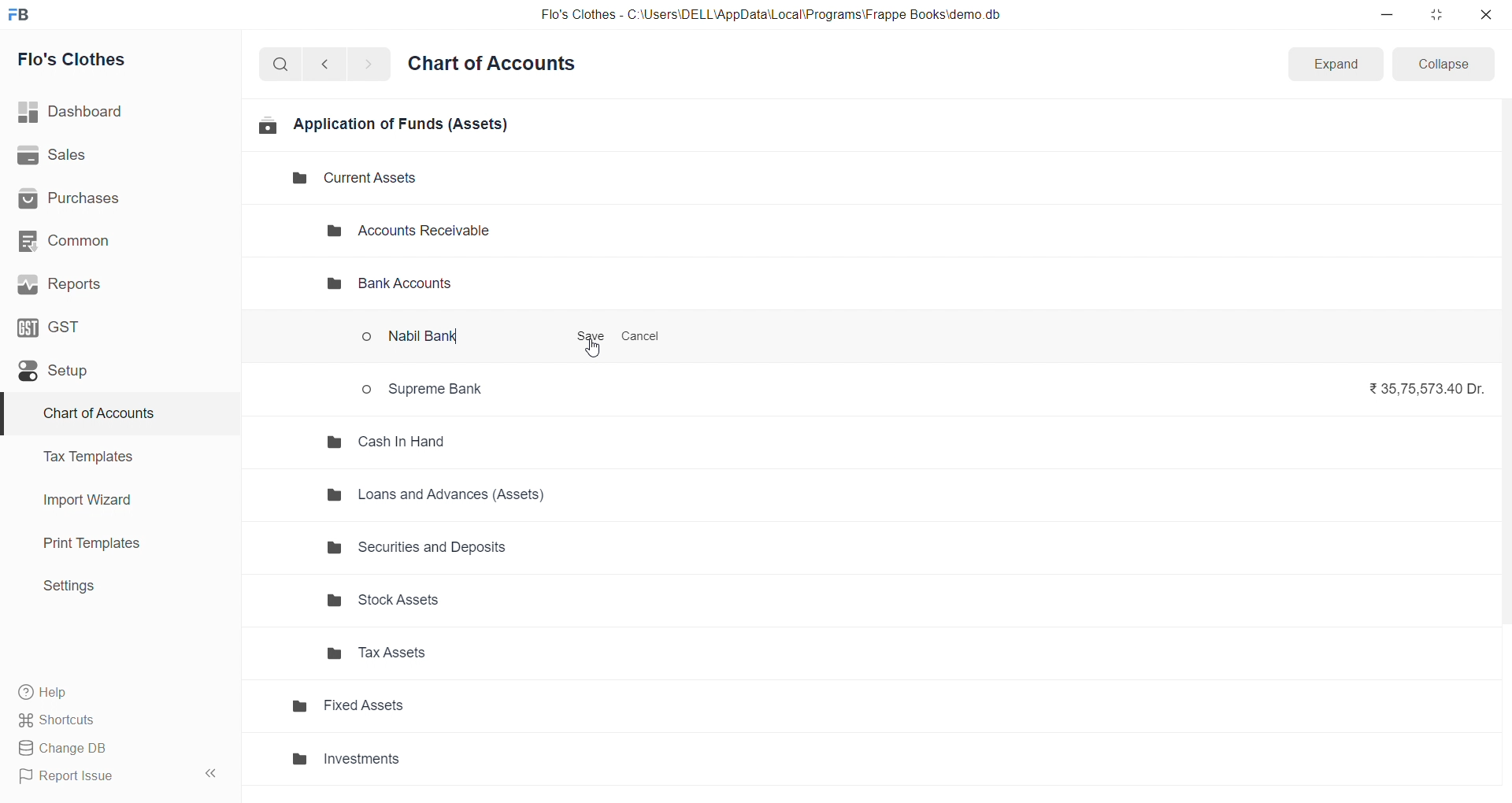  What do you see at coordinates (386, 285) in the screenshot?
I see `Bank Accounts` at bounding box center [386, 285].